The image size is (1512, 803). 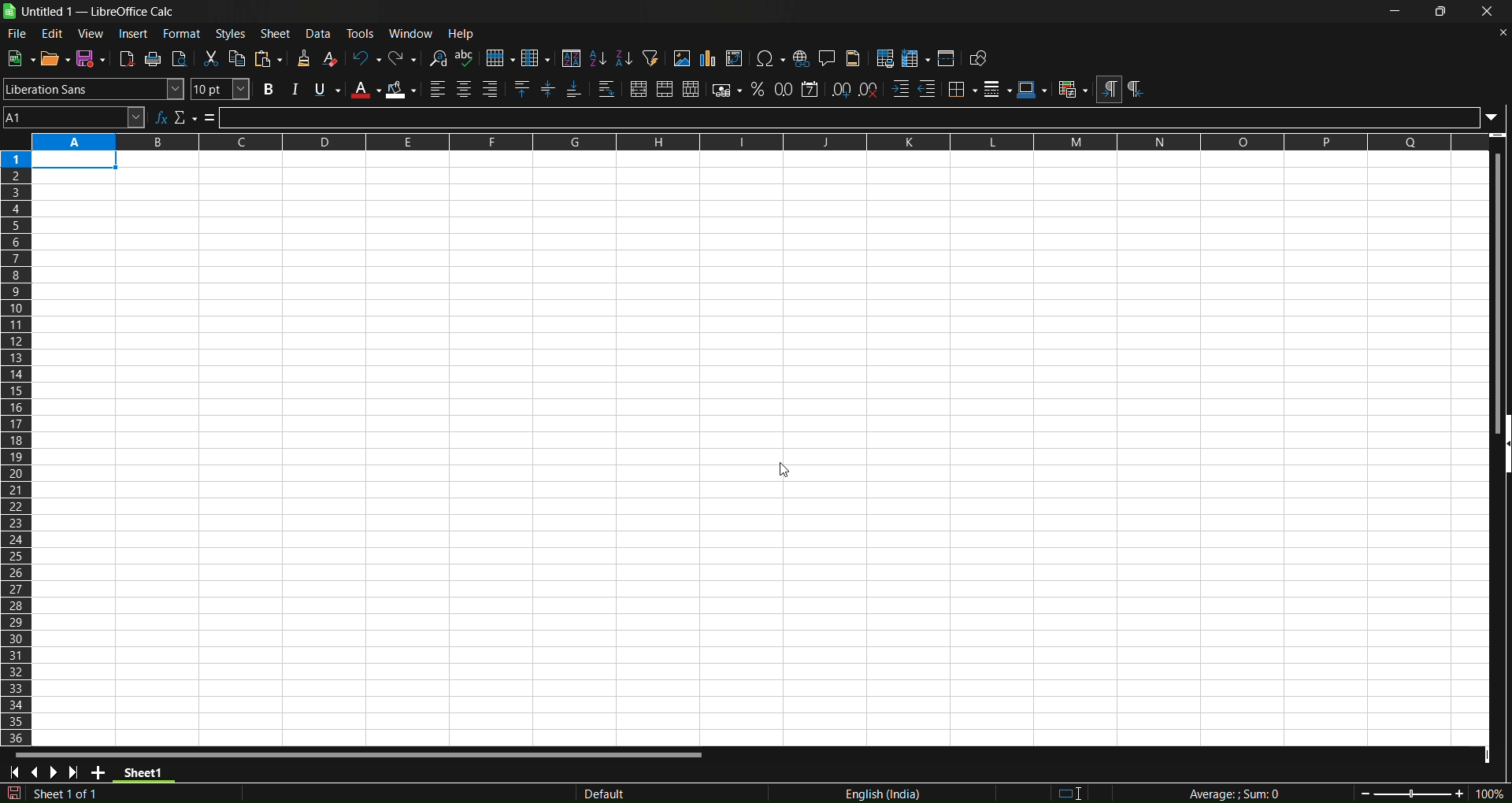 I want to click on find and replace, so click(x=437, y=57).